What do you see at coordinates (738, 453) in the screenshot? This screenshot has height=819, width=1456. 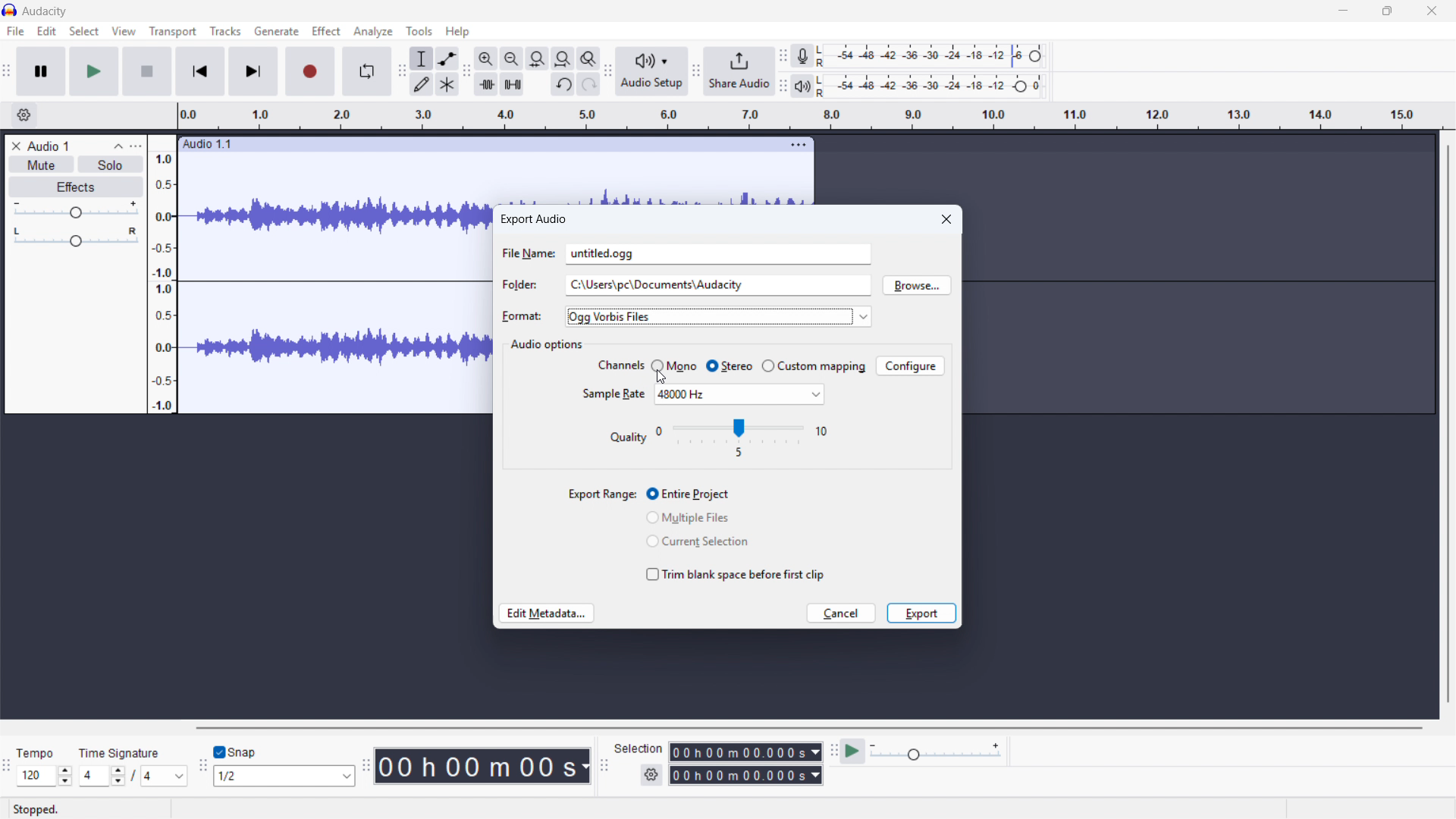 I see `5` at bounding box center [738, 453].